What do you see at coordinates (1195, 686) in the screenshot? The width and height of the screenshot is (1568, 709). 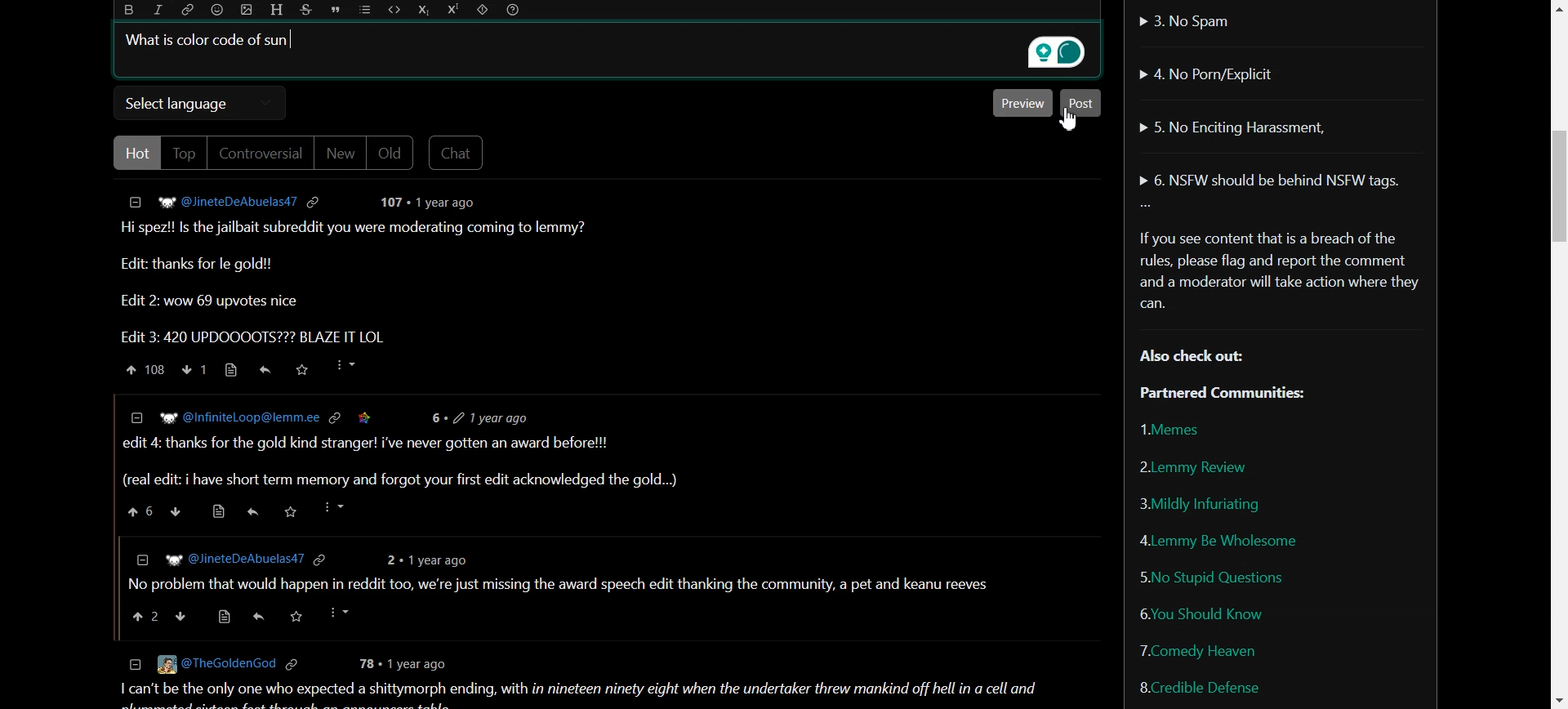 I see `Credible Defense` at bounding box center [1195, 686].